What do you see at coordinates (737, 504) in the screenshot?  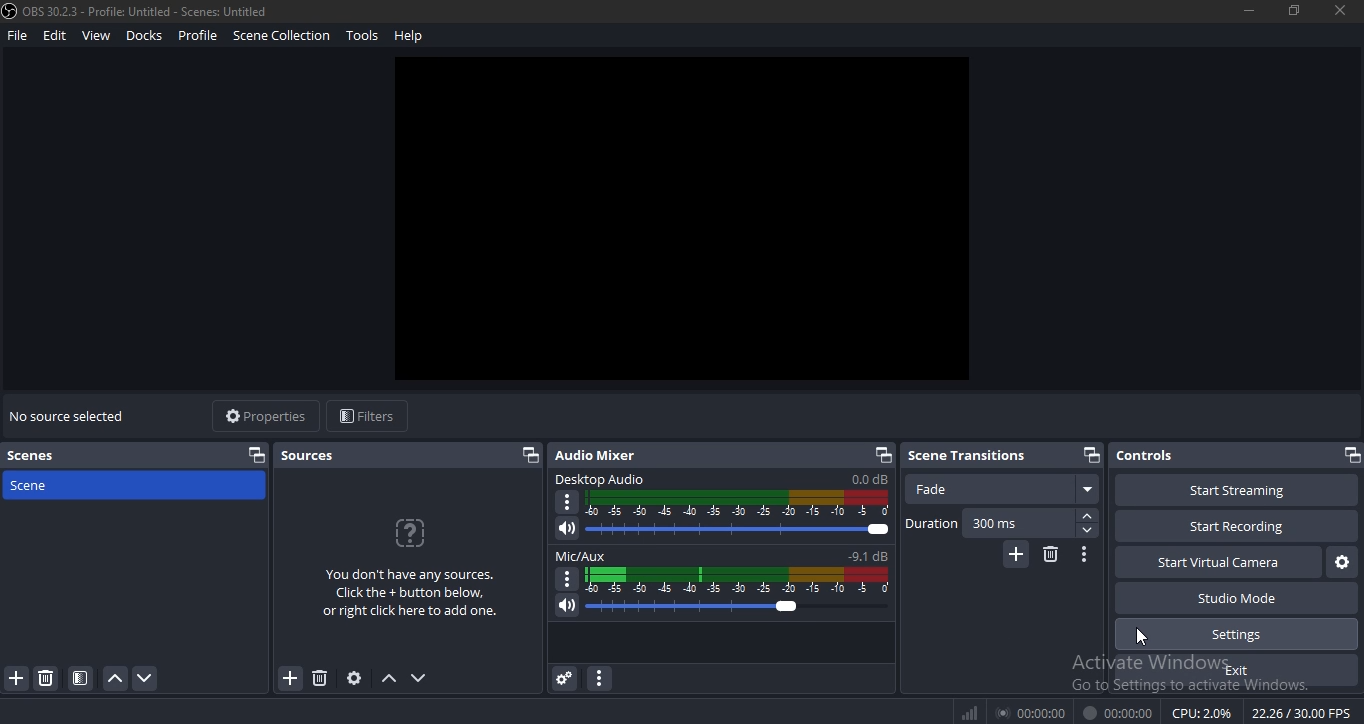 I see `audio display` at bounding box center [737, 504].